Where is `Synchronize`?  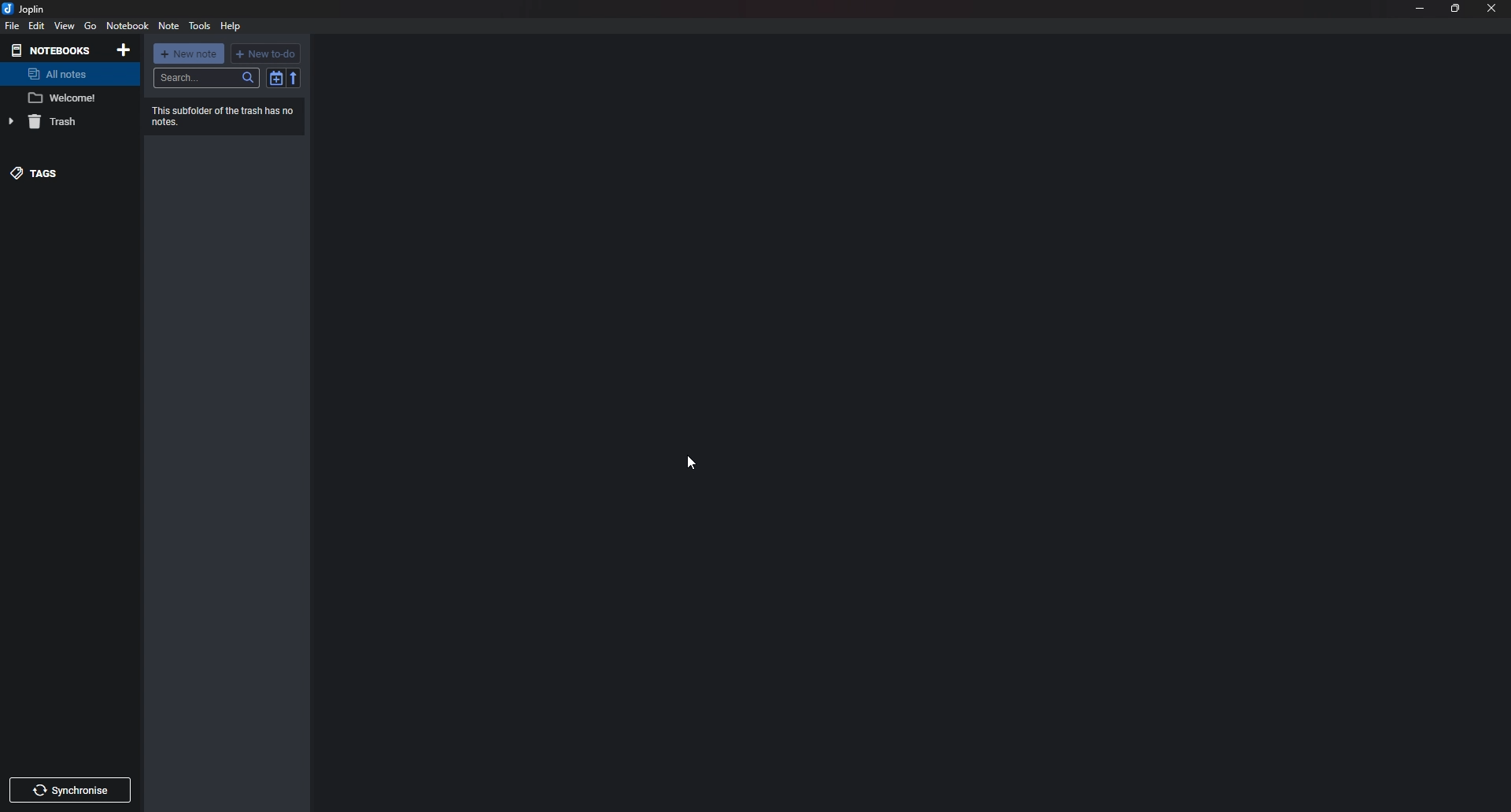 Synchronize is located at coordinates (72, 792).